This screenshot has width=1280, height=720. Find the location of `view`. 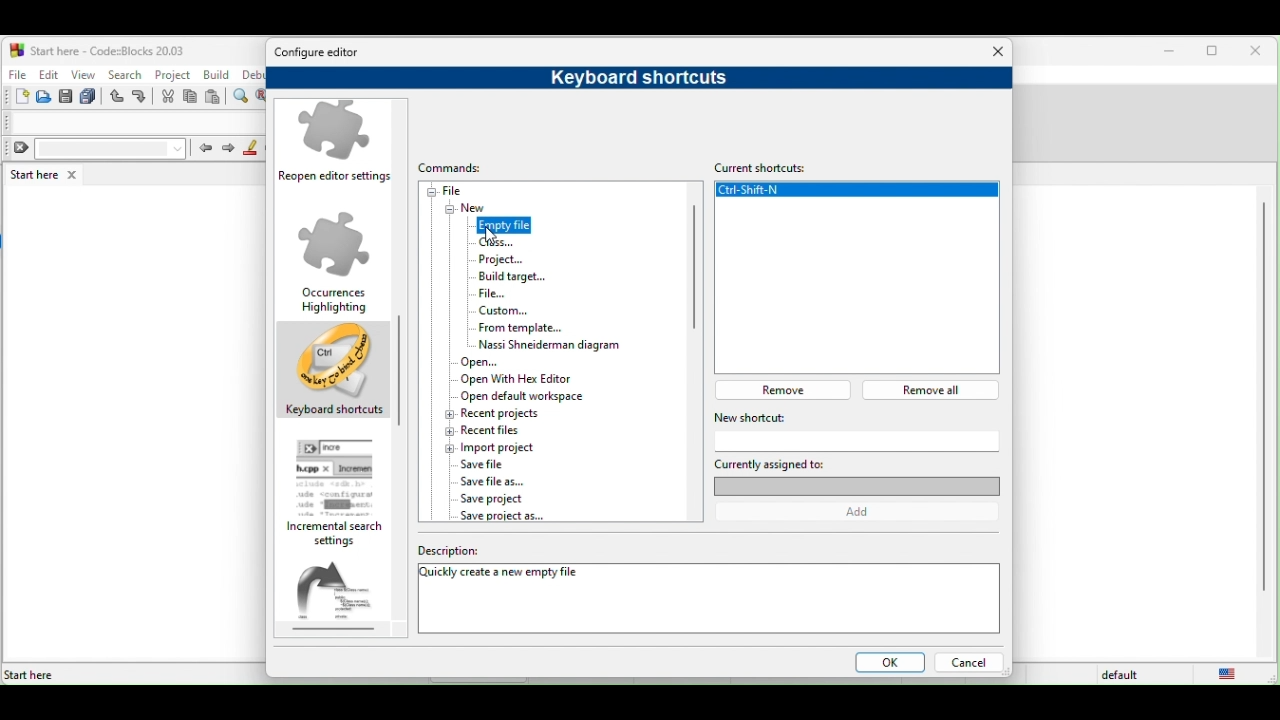

view is located at coordinates (84, 74).